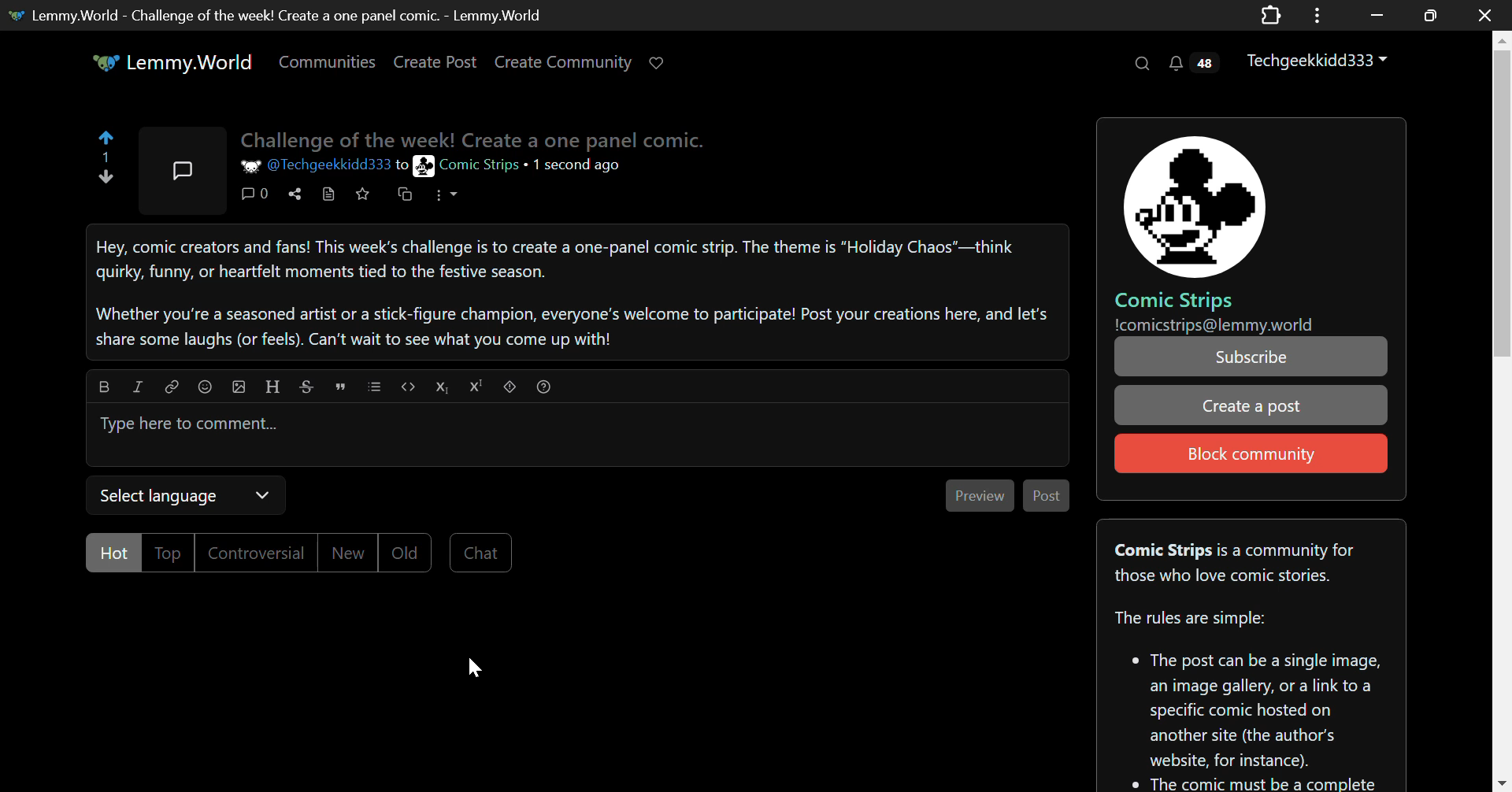 This screenshot has height=792, width=1512. Describe the element at coordinates (1480, 13) in the screenshot. I see `Close Window` at that location.